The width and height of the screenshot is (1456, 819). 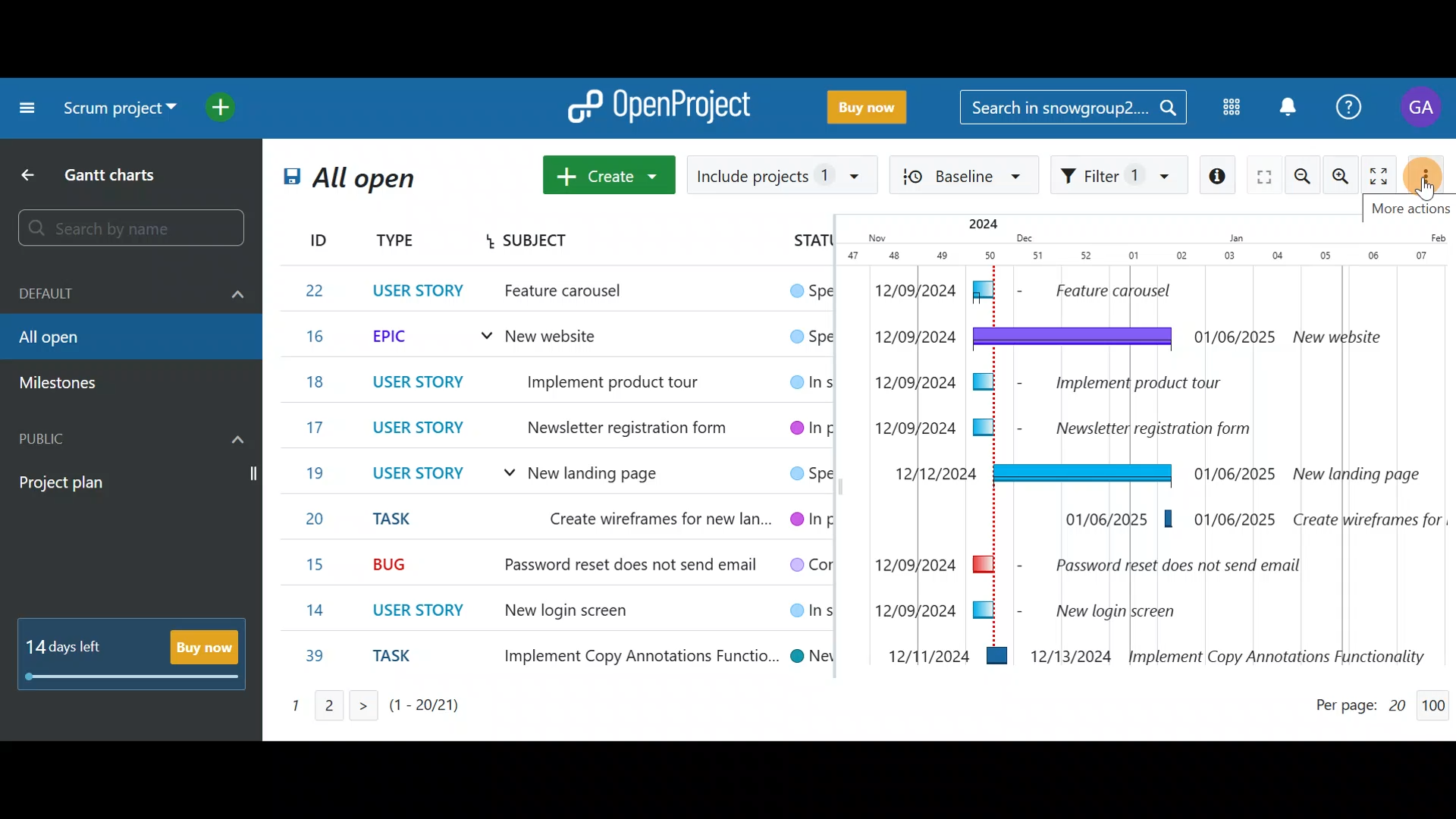 I want to click on 14, so click(x=320, y=610).